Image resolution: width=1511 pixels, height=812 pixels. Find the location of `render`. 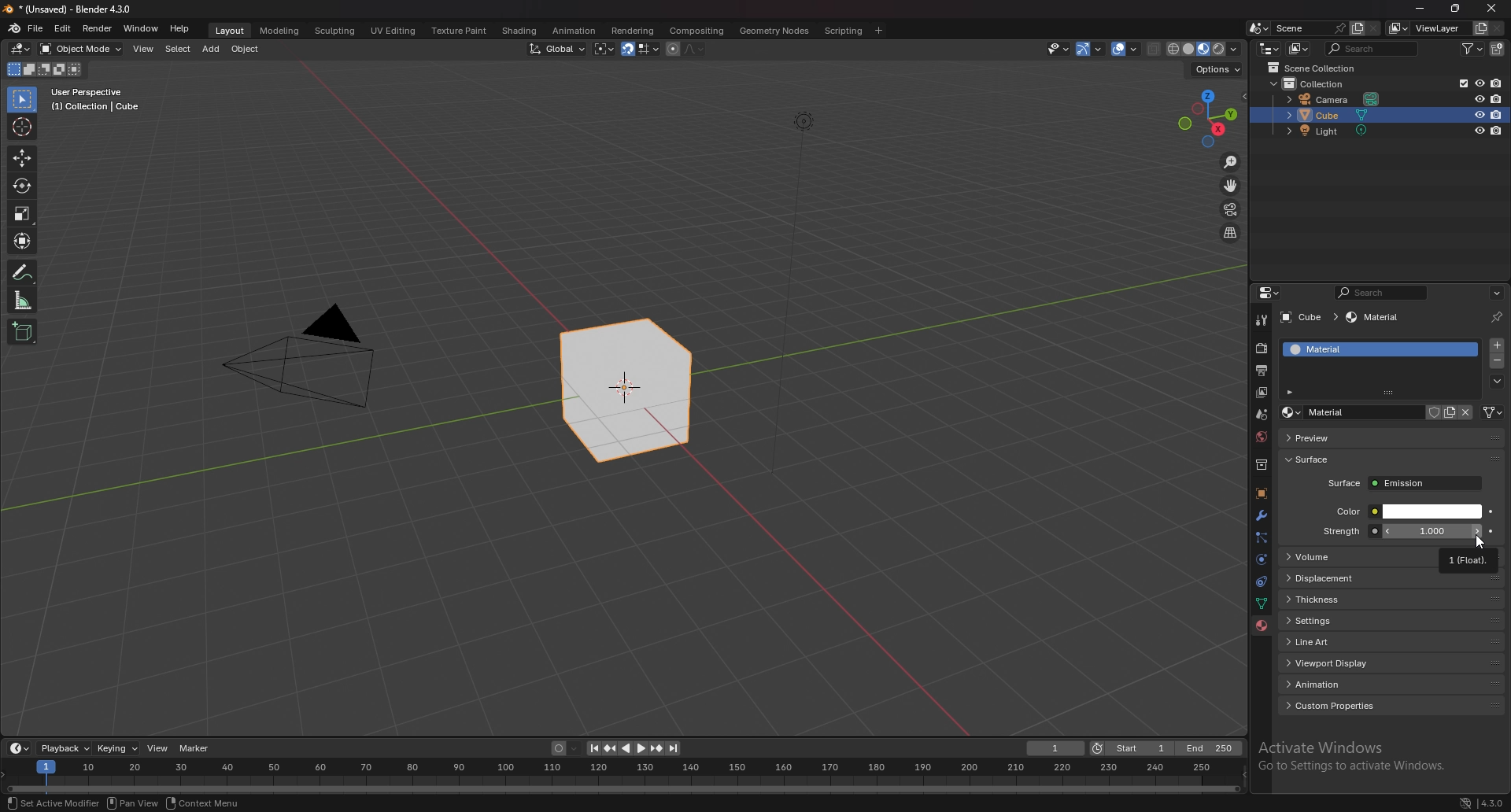

render is located at coordinates (98, 28).